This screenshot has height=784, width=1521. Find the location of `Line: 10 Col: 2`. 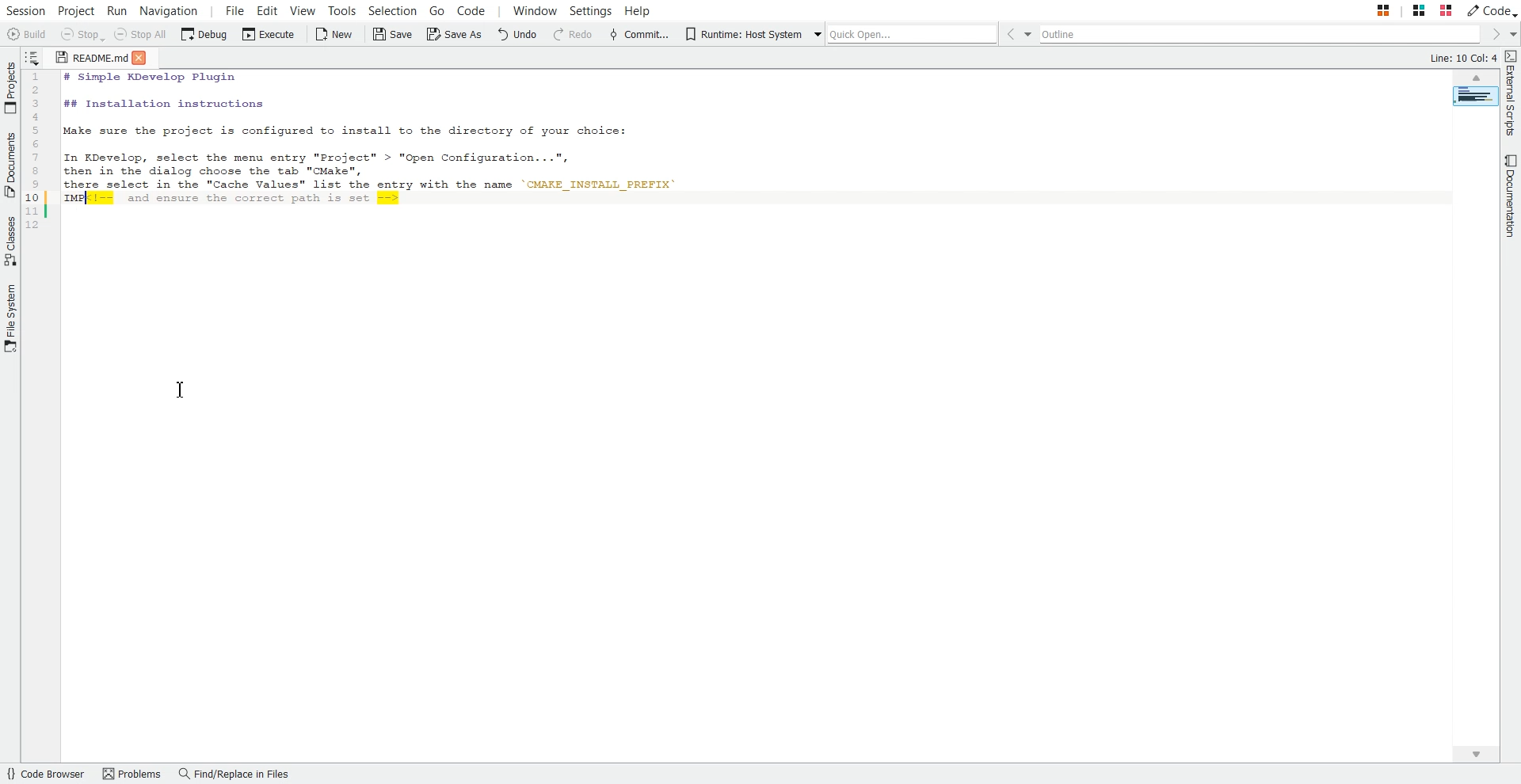

Line: 10 Col: 2 is located at coordinates (1464, 56).